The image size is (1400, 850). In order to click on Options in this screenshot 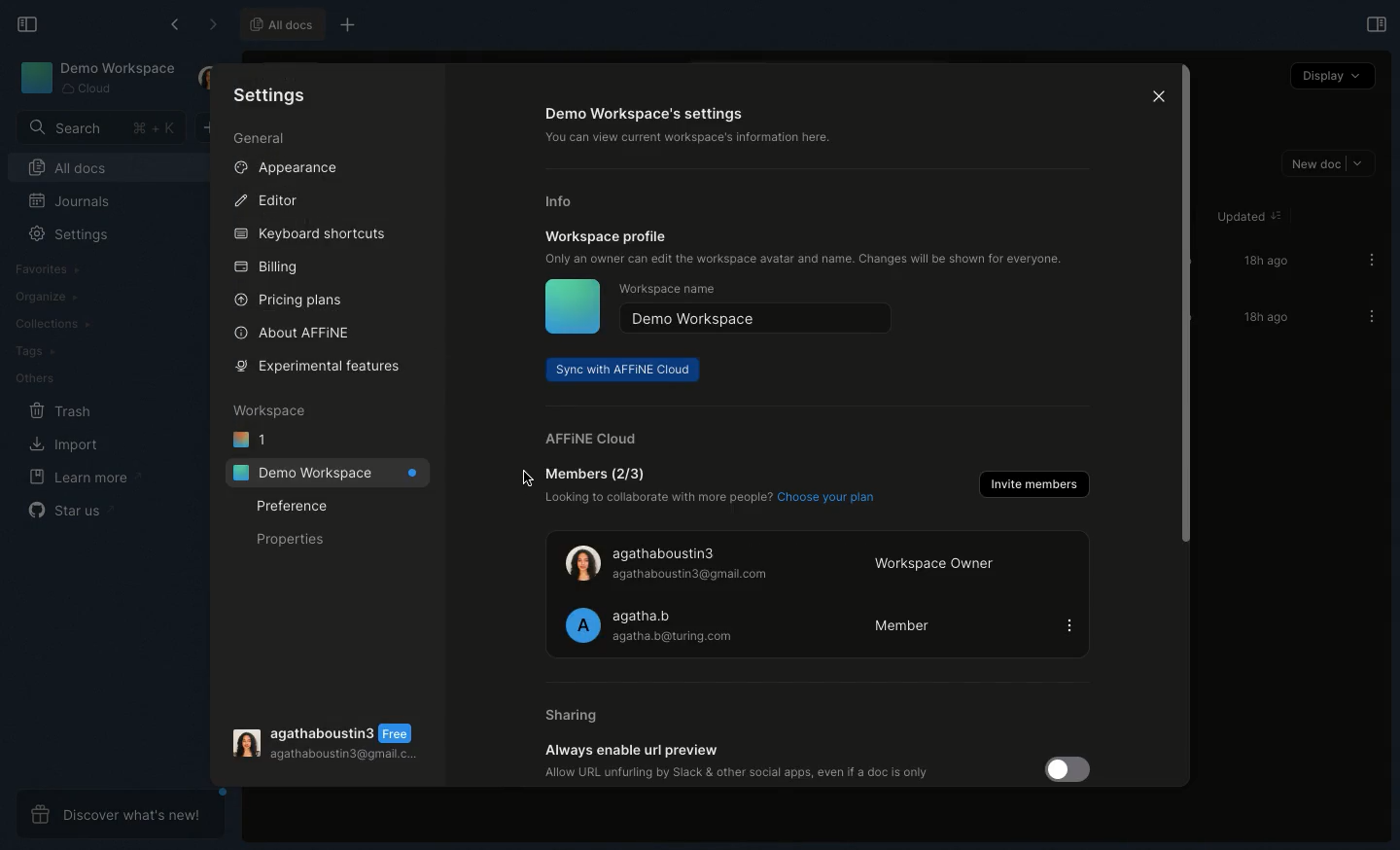, I will do `click(1365, 316)`.